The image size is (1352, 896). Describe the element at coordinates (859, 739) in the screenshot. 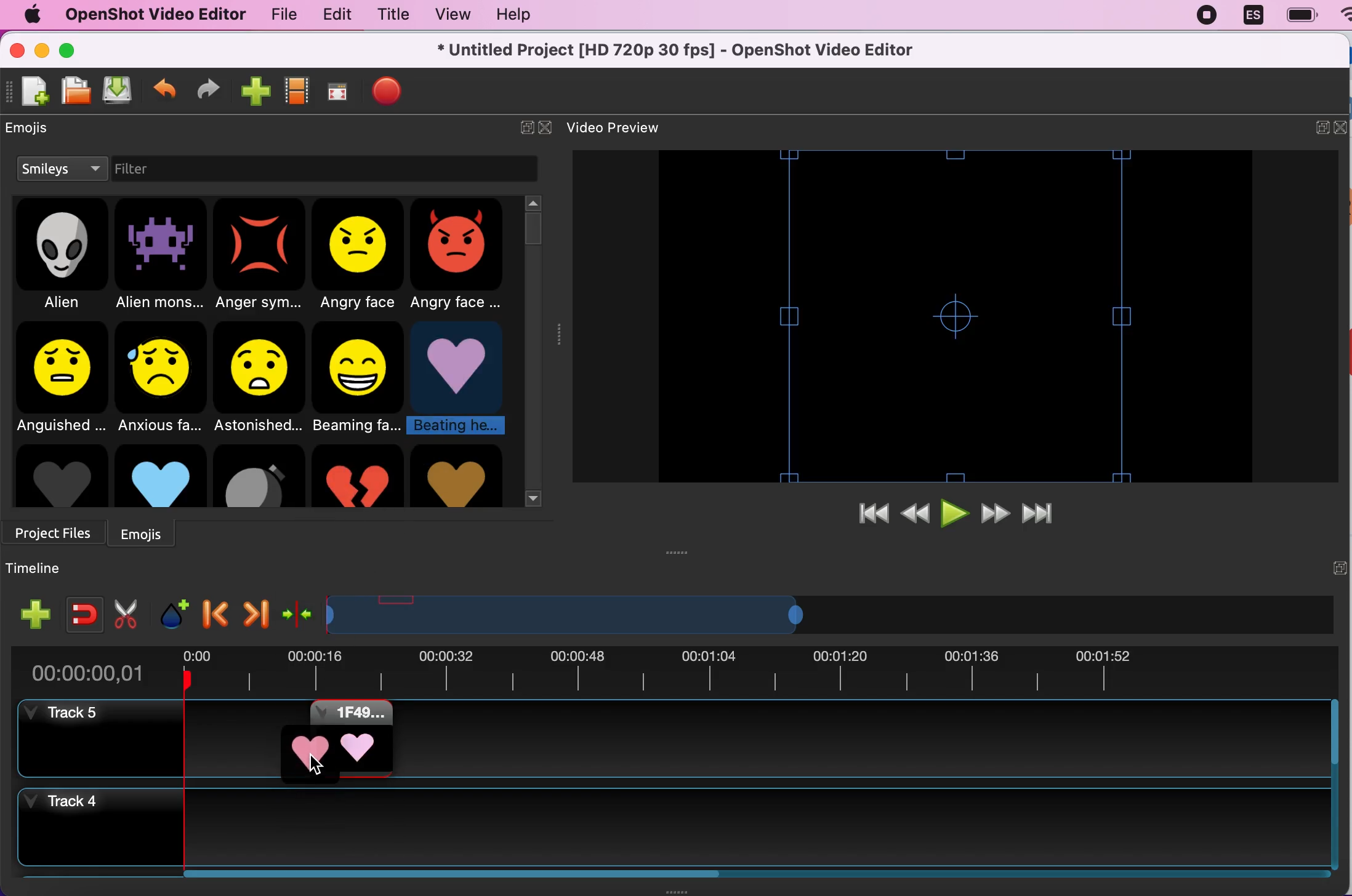

I see `track 5` at that location.